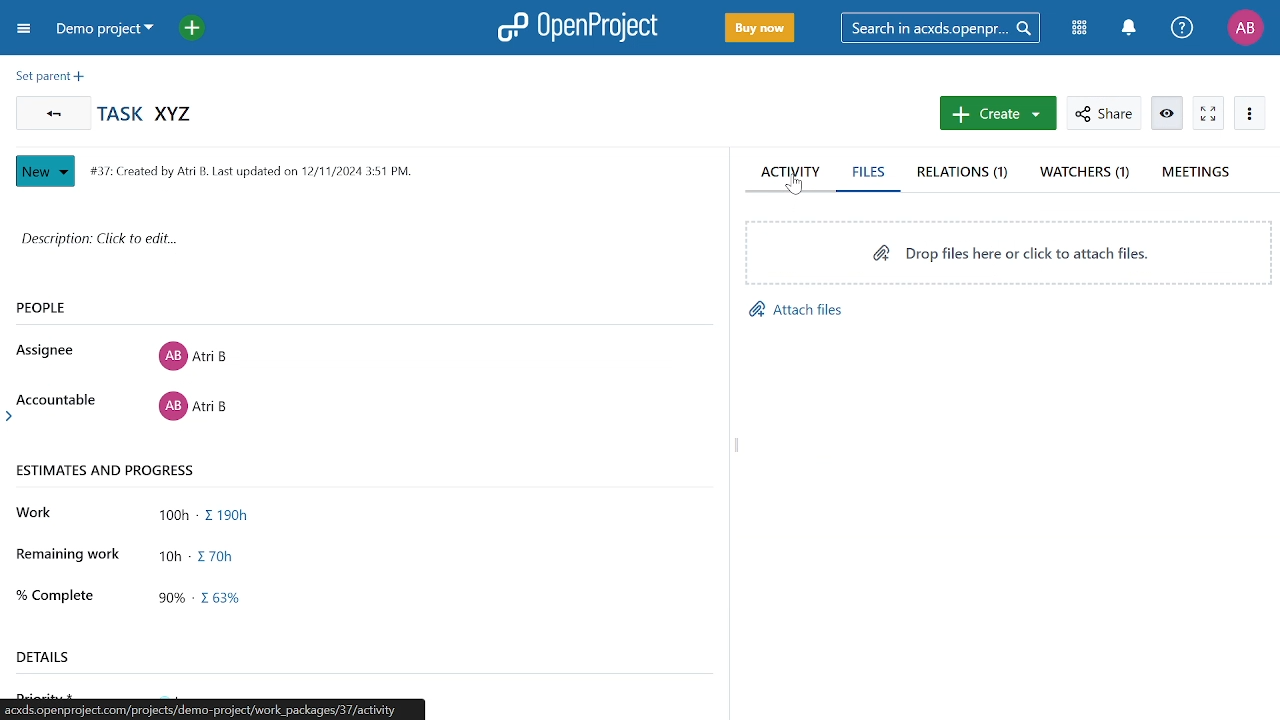 The image size is (1280, 720). What do you see at coordinates (1184, 28) in the screenshot?
I see `Help` at bounding box center [1184, 28].